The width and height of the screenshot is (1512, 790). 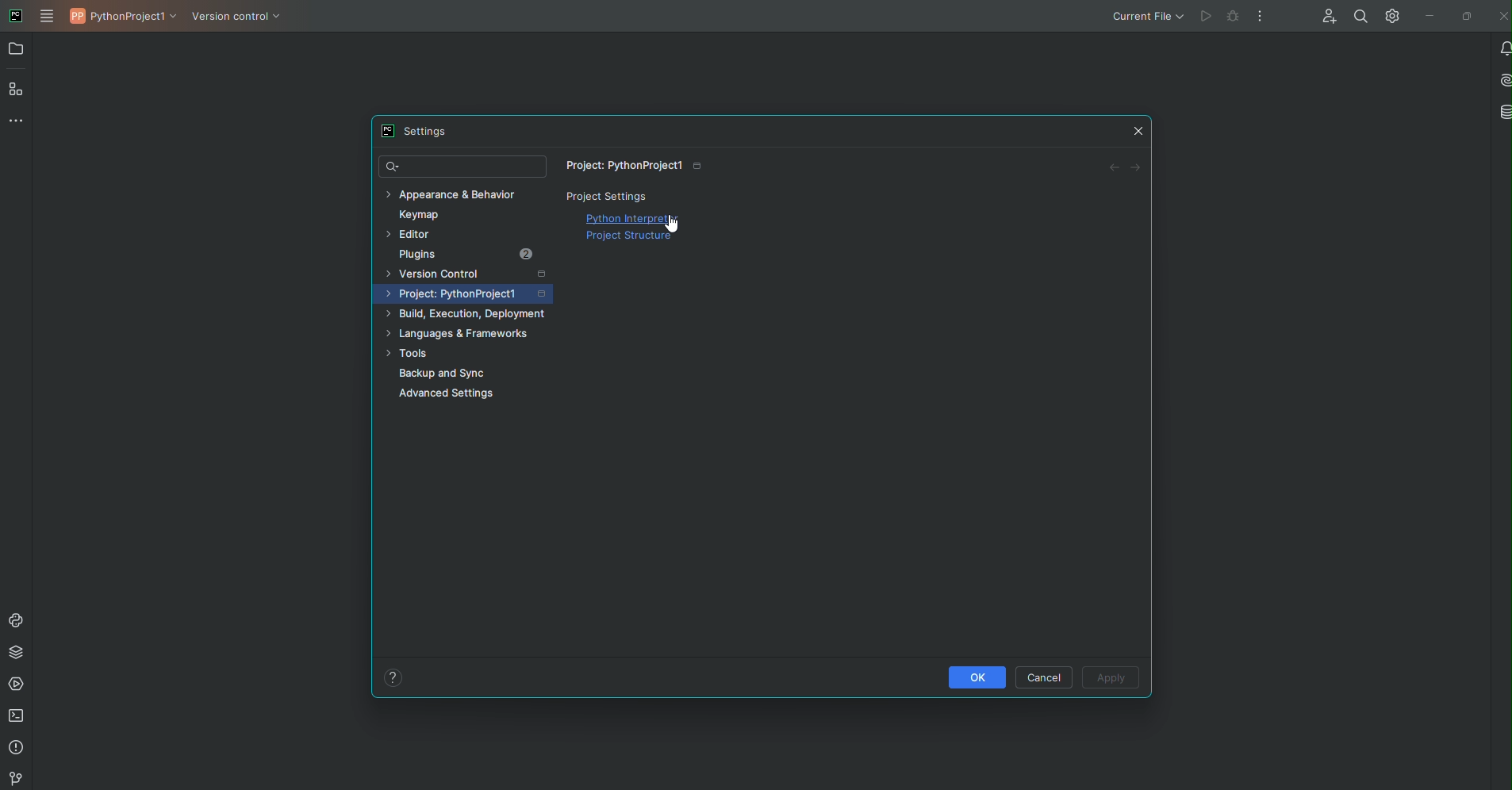 What do you see at coordinates (17, 749) in the screenshot?
I see `Problems` at bounding box center [17, 749].